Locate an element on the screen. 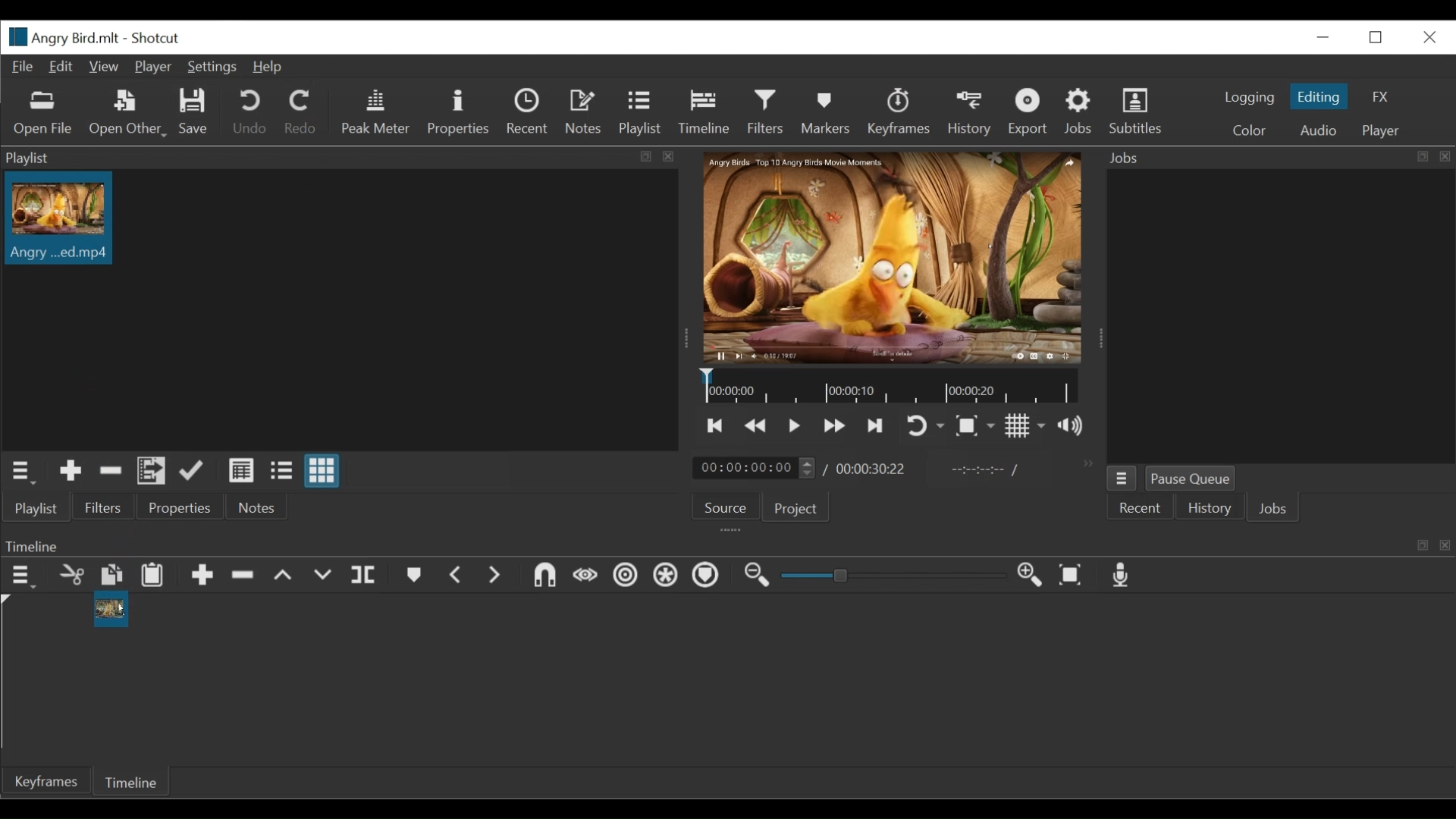  Playlist is located at coordinates (36, 509).